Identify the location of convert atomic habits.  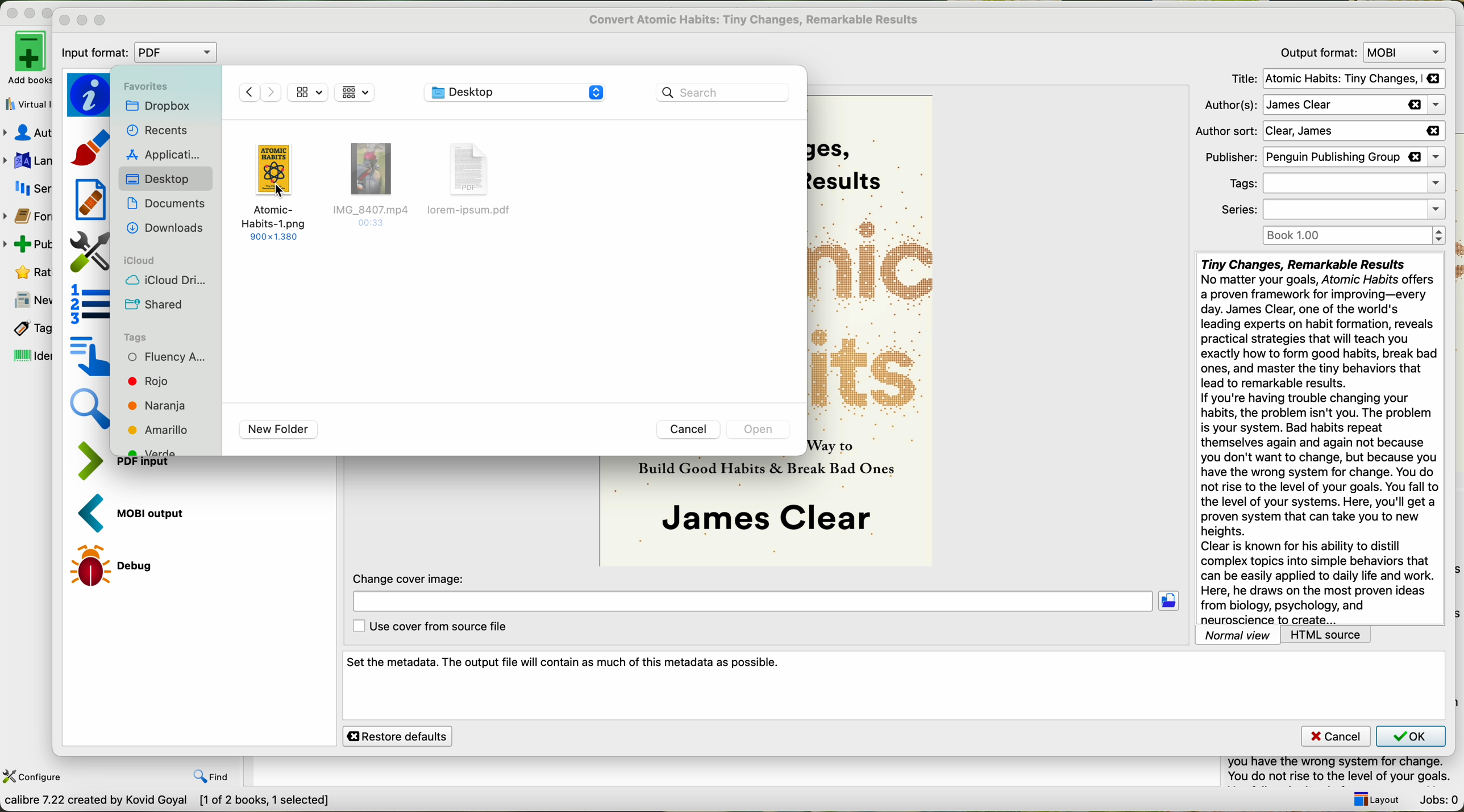
(756, 19).